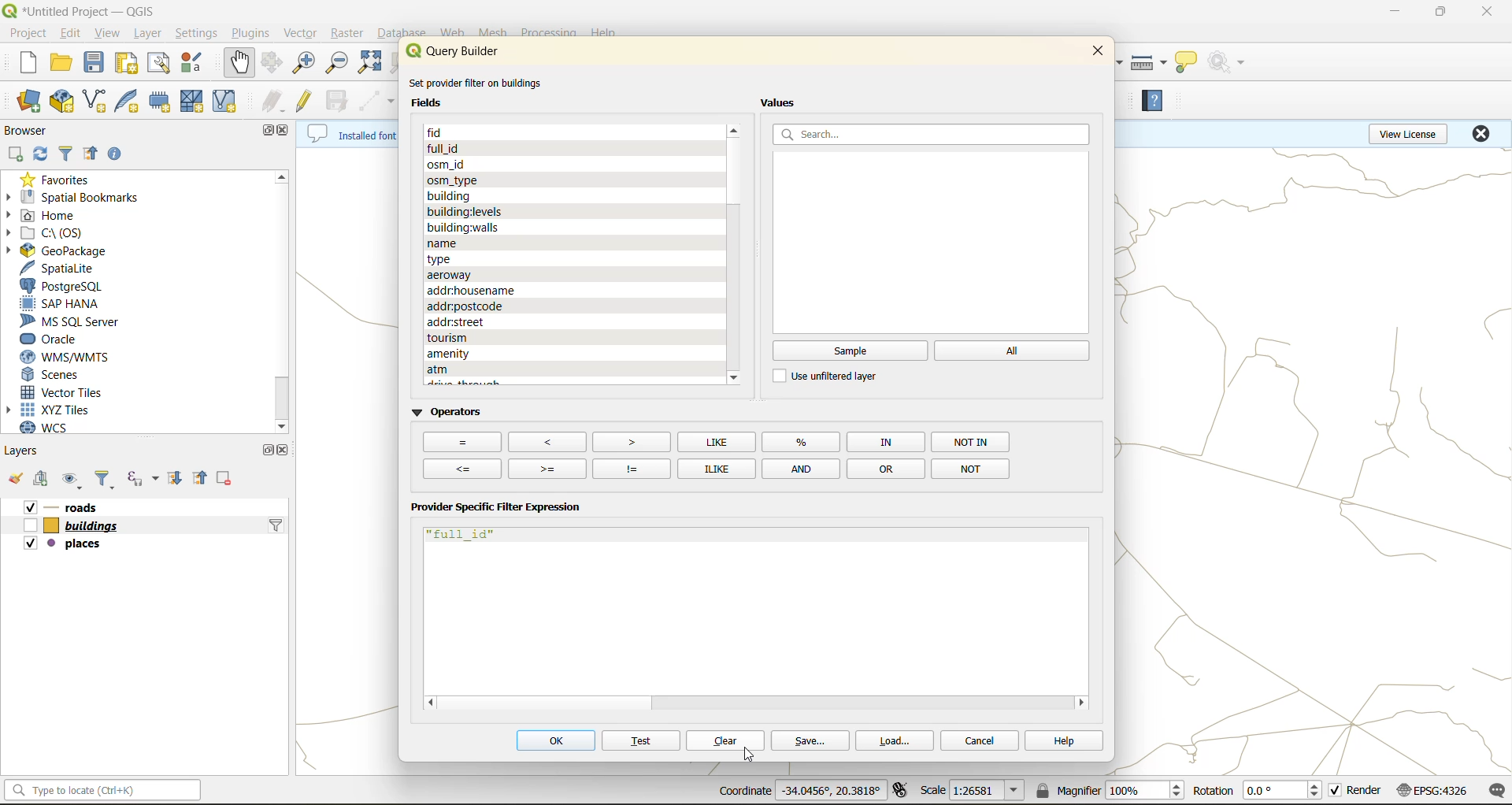 Image resolution: width=1512 pixels, height=805 pixels. What do you see at coordinates (629, 440) in the screenshot?
I see `opertators` at bounding box center [629, 440].